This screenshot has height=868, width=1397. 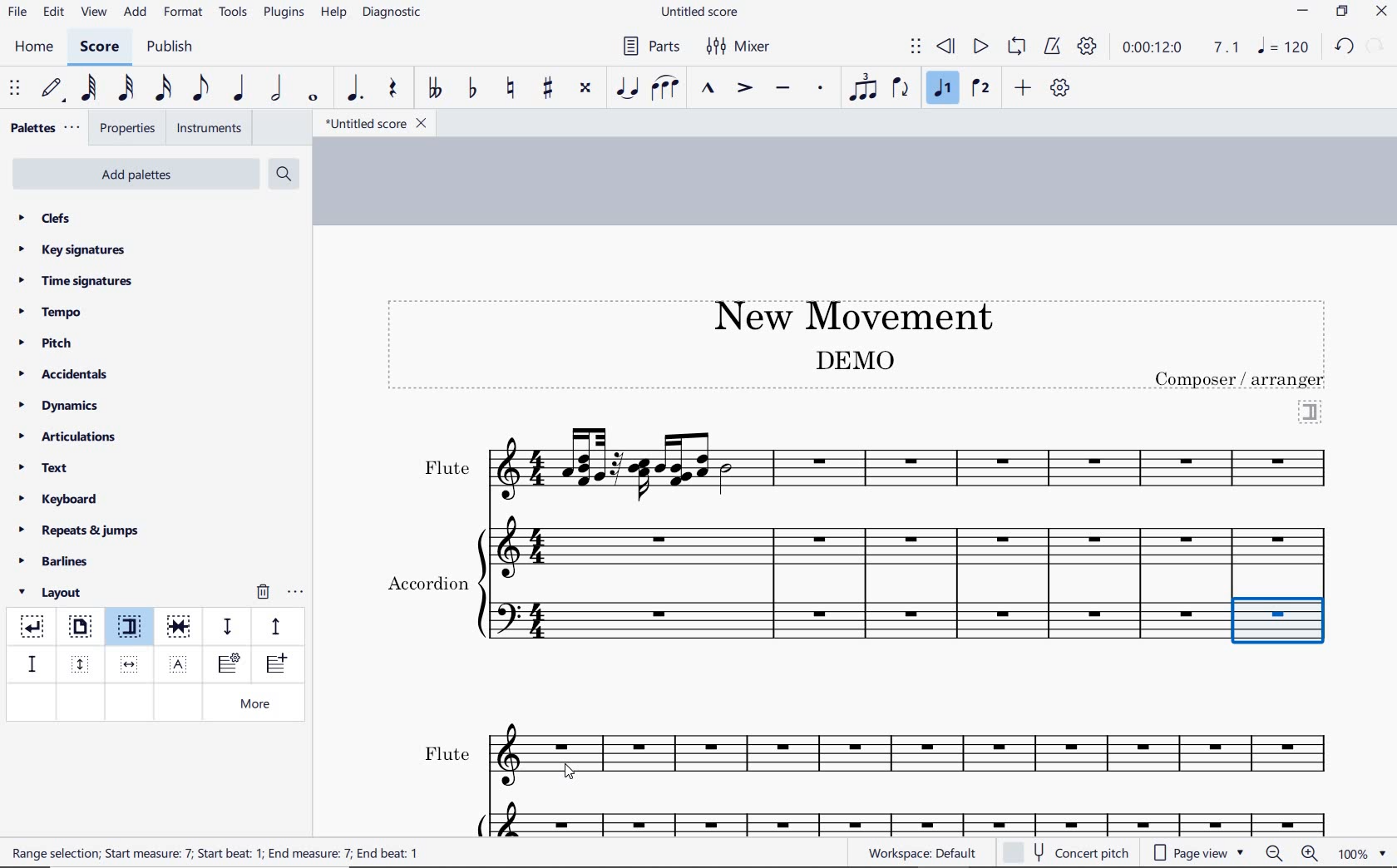 What do you see at coordinates (180, 627) in the screenshot?
I see `keep measure on the same system` at bounding box center [180, 627].